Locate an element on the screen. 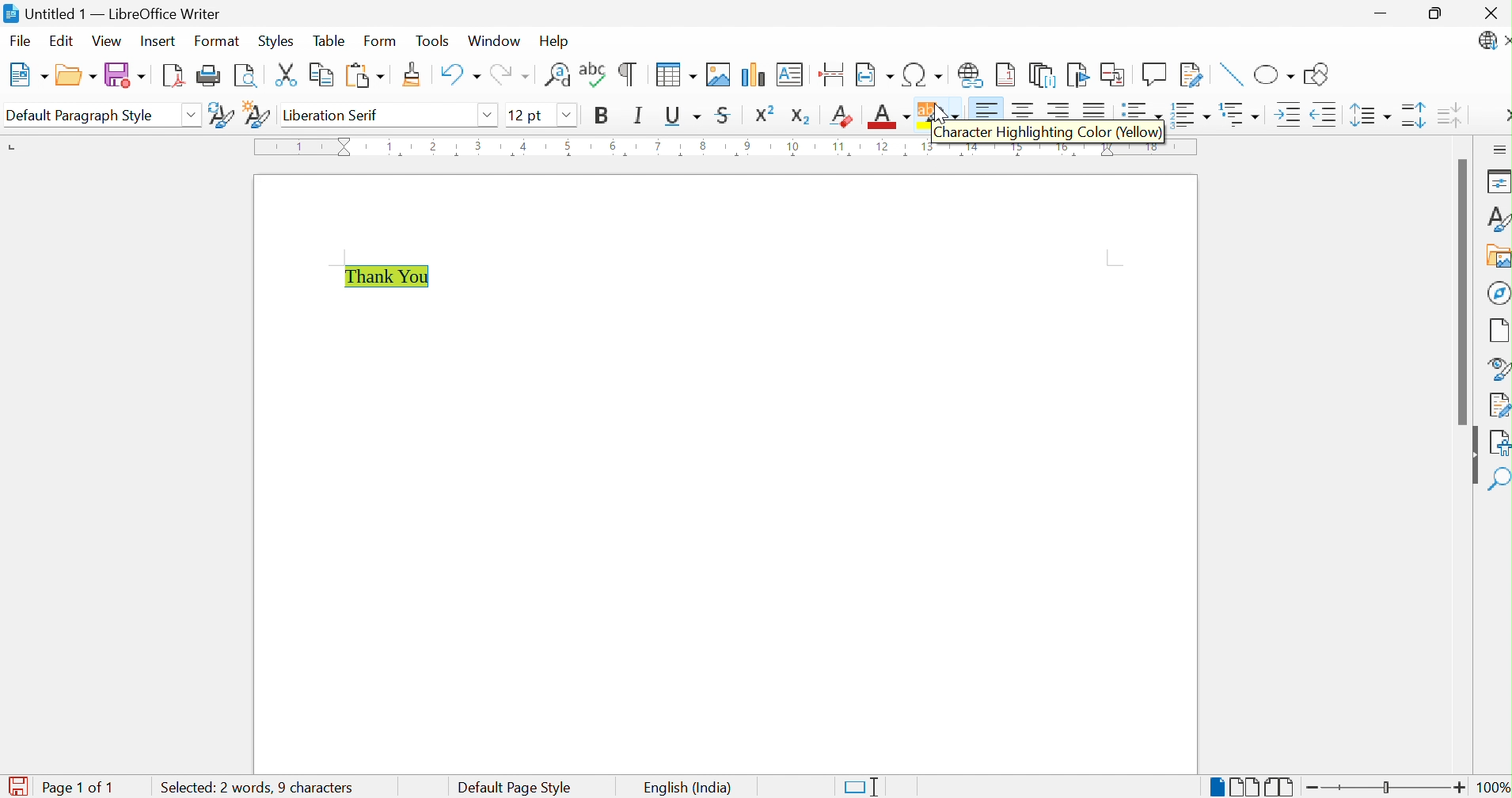  Insert Image is located at coordinates (716, 74).